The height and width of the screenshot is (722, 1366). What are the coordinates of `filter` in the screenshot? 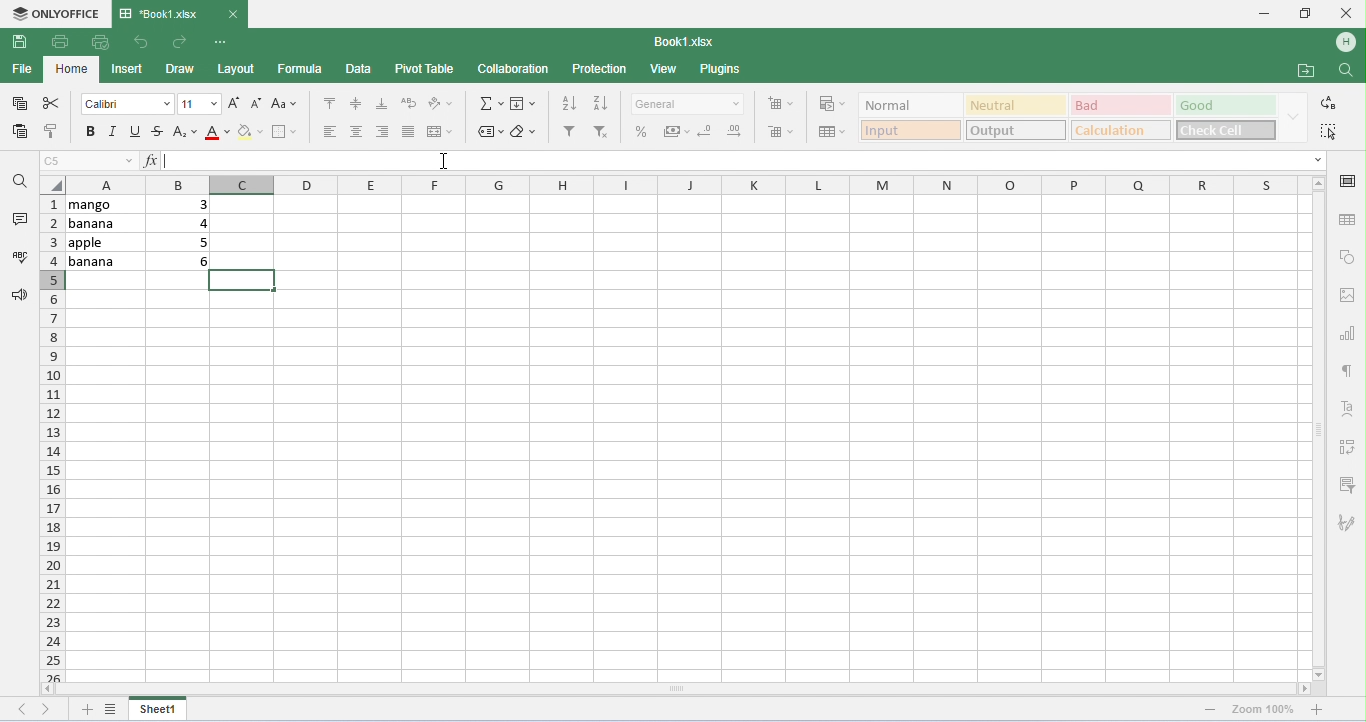 It's located at (569, 133).